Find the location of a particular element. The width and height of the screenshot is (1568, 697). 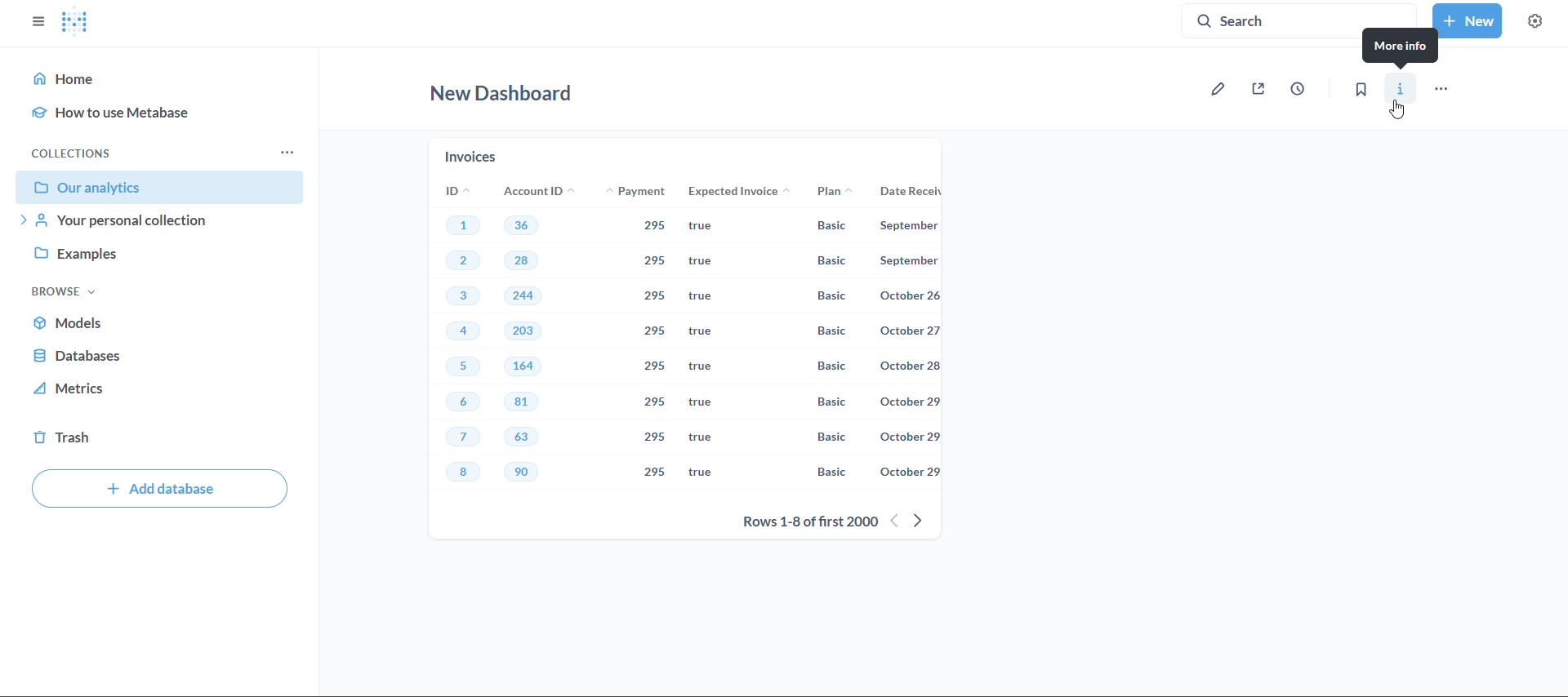

settings is located at coordinates (1535, 21).